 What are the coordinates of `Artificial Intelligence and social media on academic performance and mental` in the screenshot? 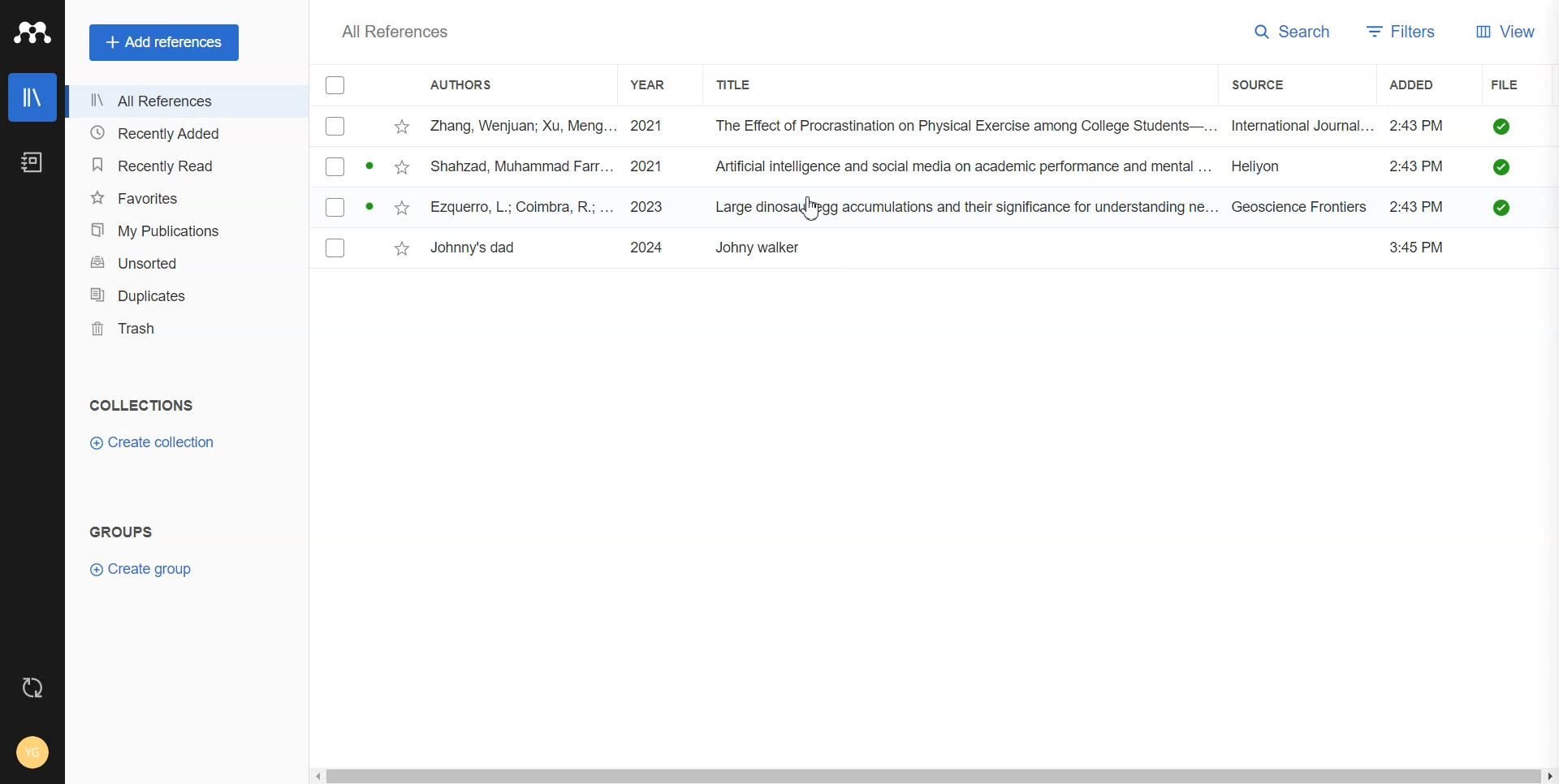 It's located at (965, 166).